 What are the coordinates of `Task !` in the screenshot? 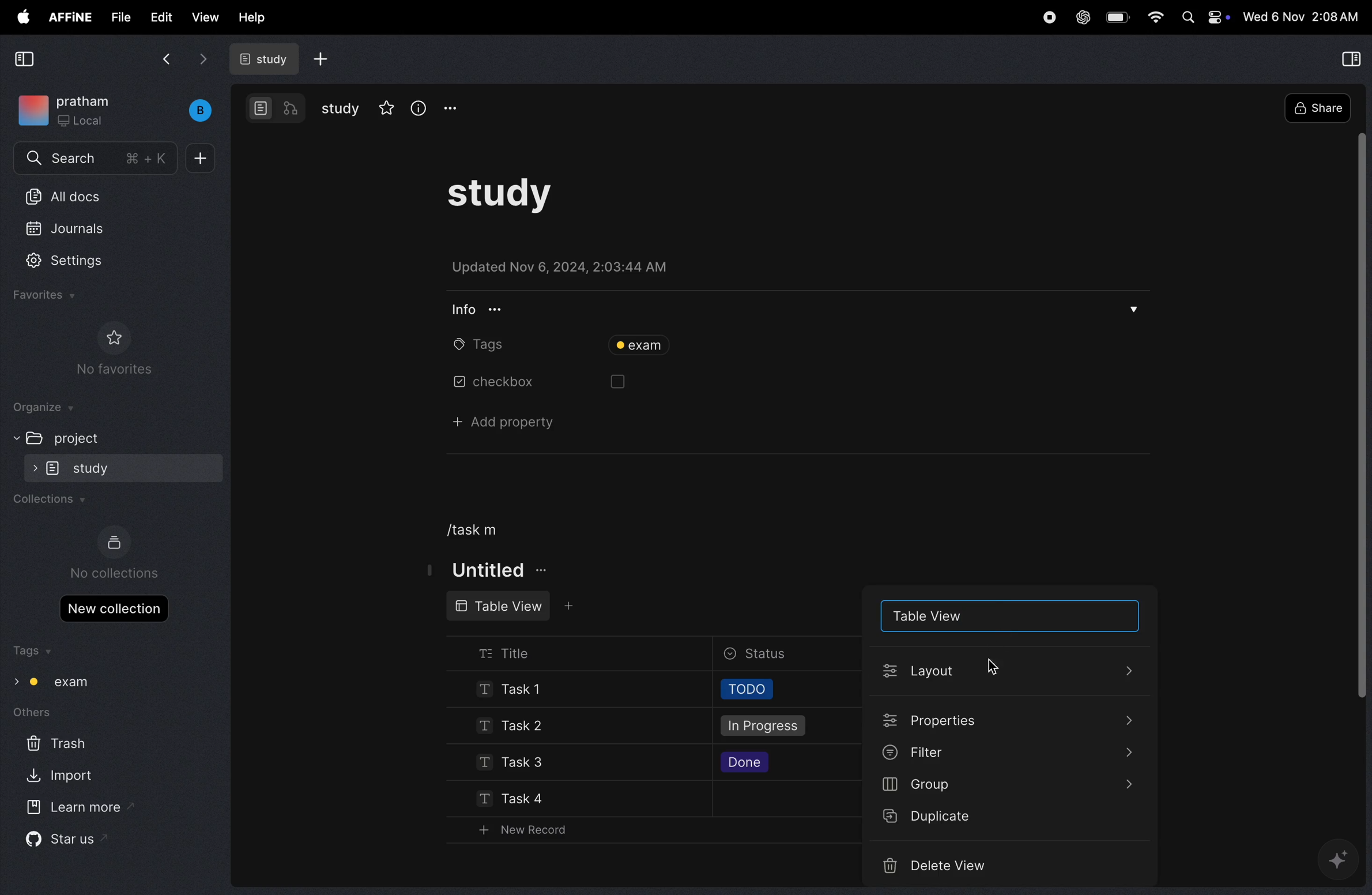 It's located at (520, 690).